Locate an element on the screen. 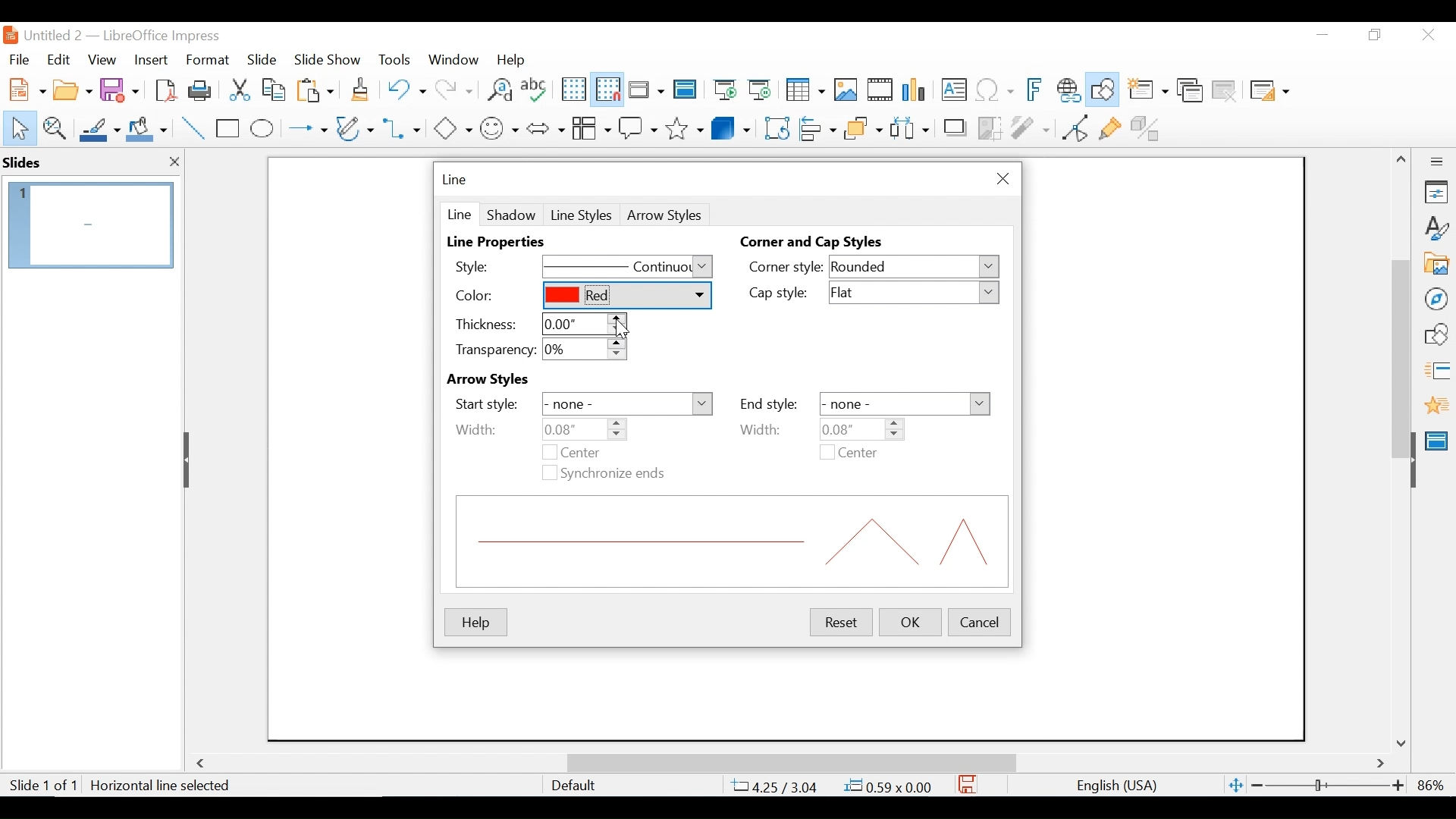 This screenshot has height=819, width=1456. Insert Image is located at coordinates (845, 90).